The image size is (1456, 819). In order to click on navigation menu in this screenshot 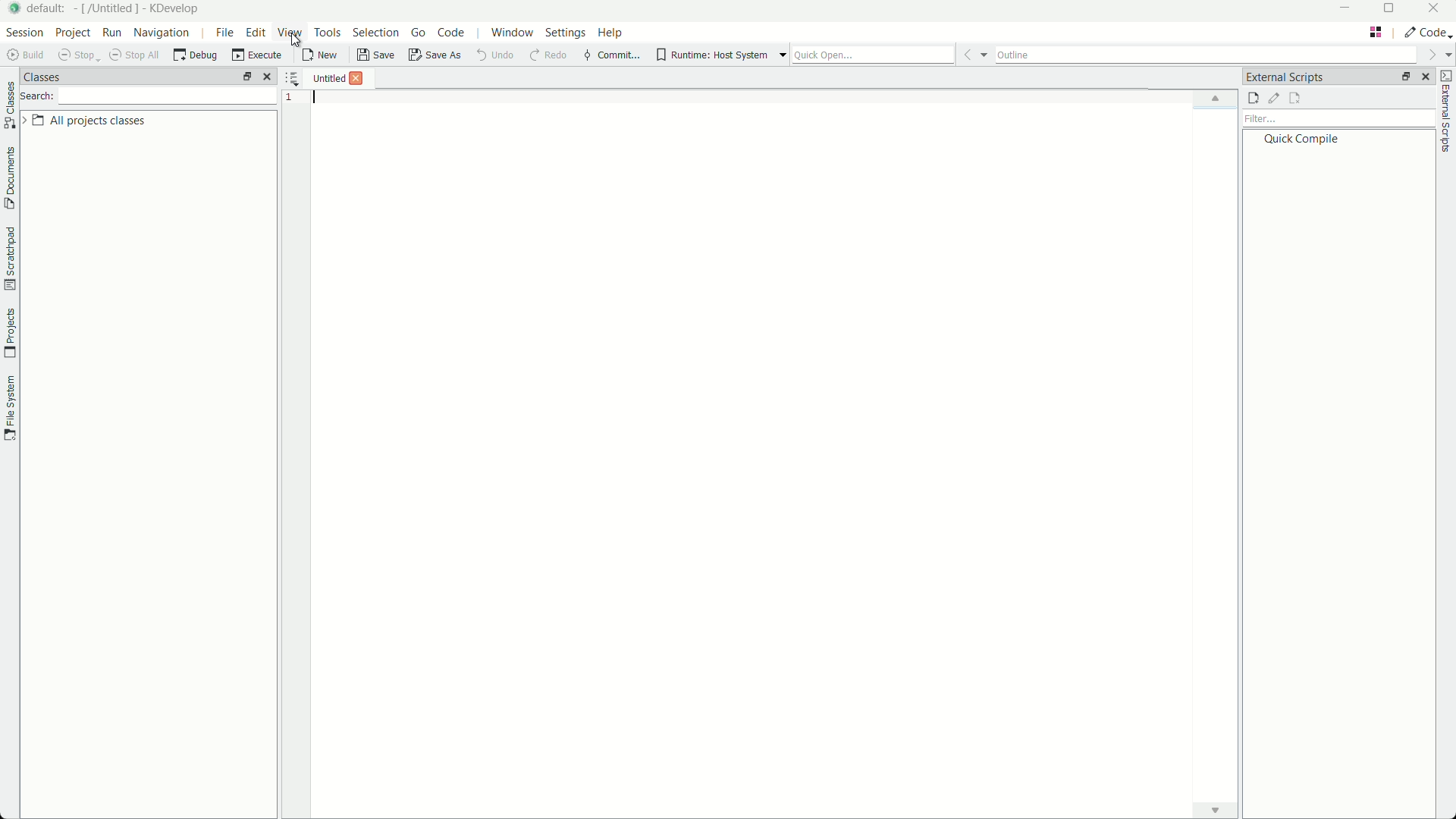, I will do `click(160, 33)`.